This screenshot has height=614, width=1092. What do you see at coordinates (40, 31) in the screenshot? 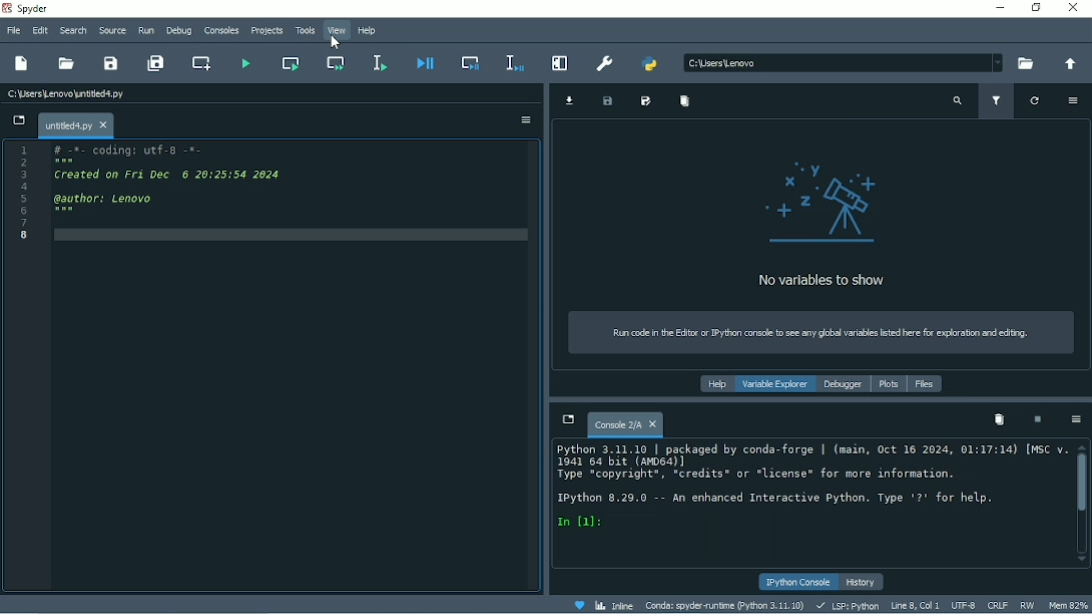
I see `Edit` at bounding box center [40, 31].